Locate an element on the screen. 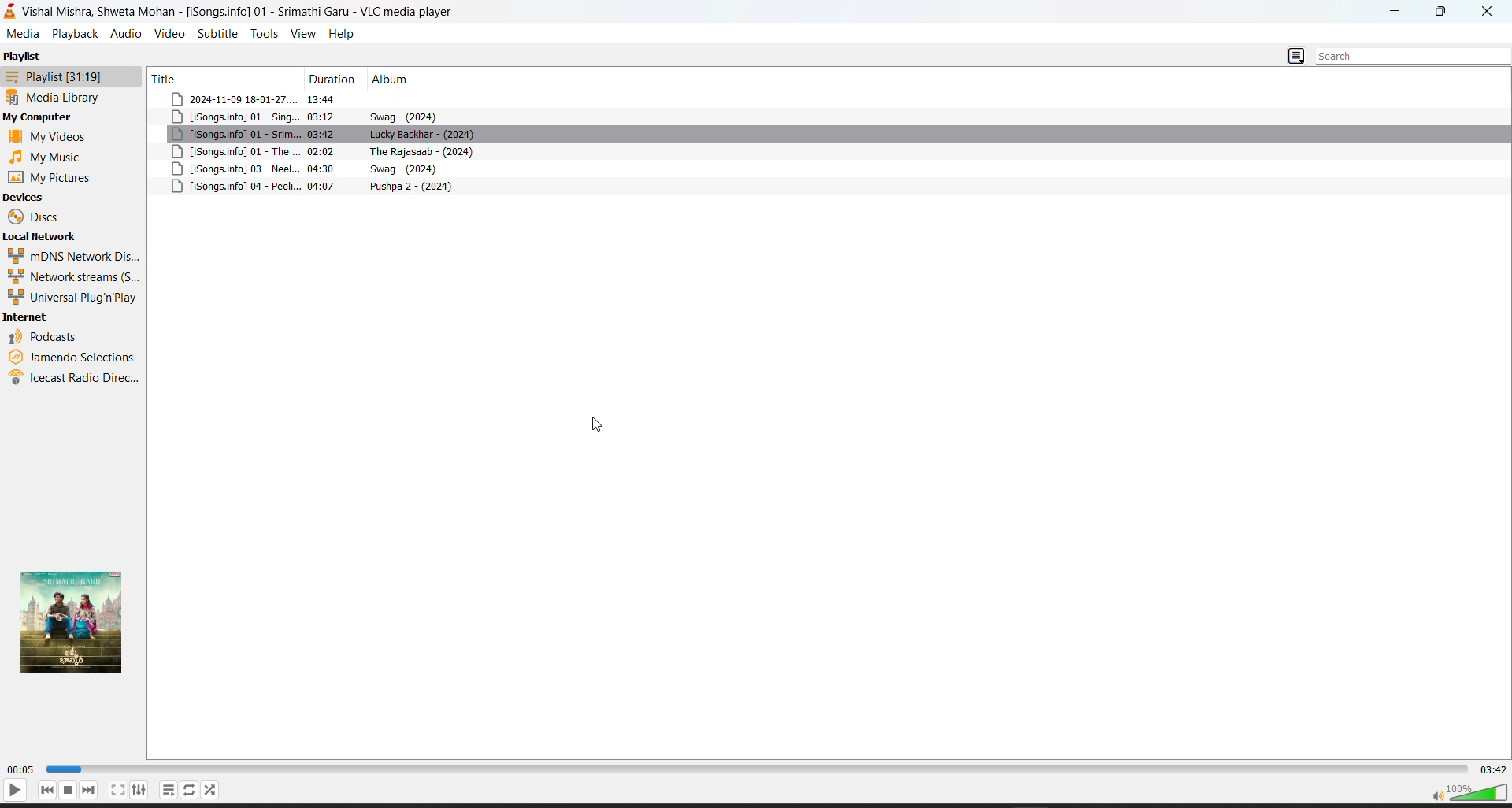 This screenshot has height=808, width=1512. current track time is located at coordinates (19, 770).